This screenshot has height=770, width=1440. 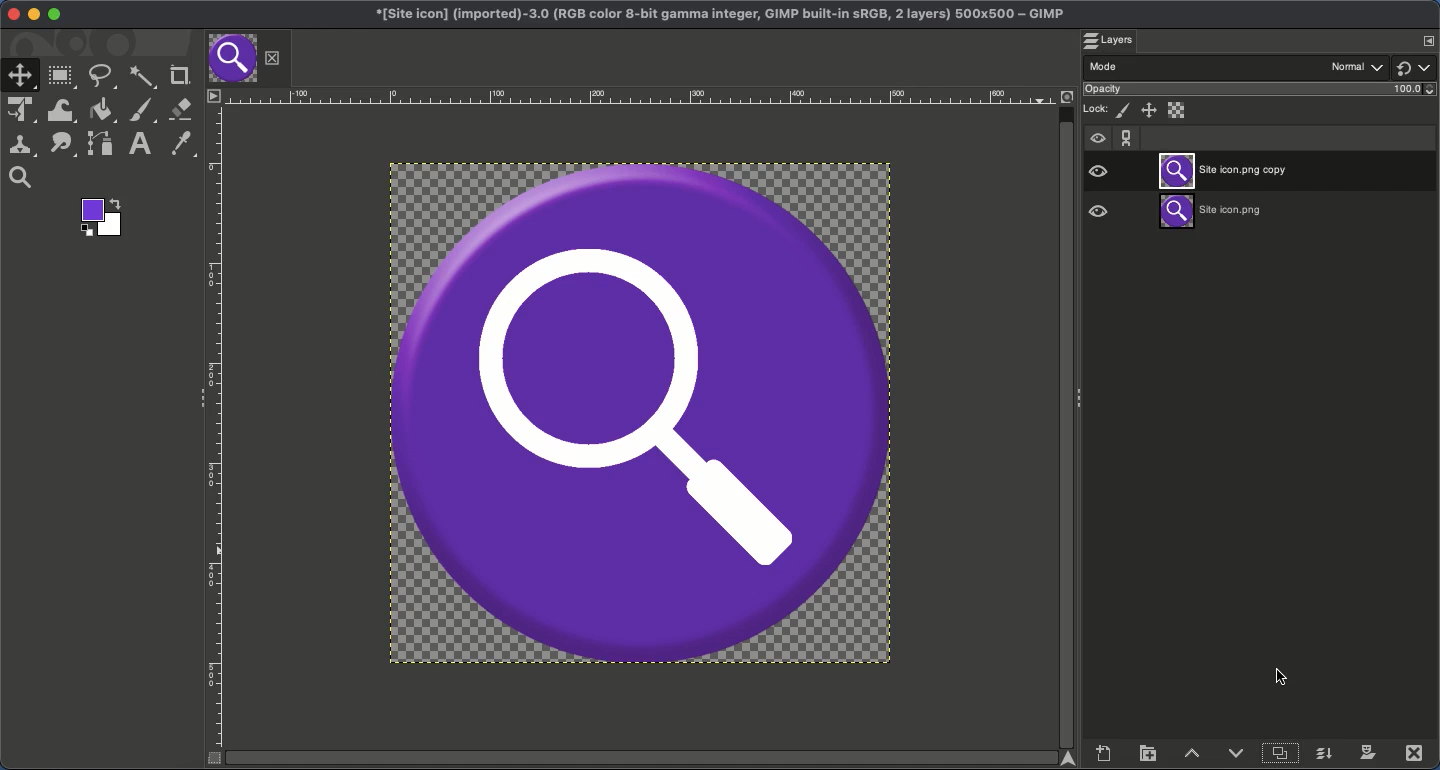 I want to click on Alpha channel, so click(x=1178, y=110).